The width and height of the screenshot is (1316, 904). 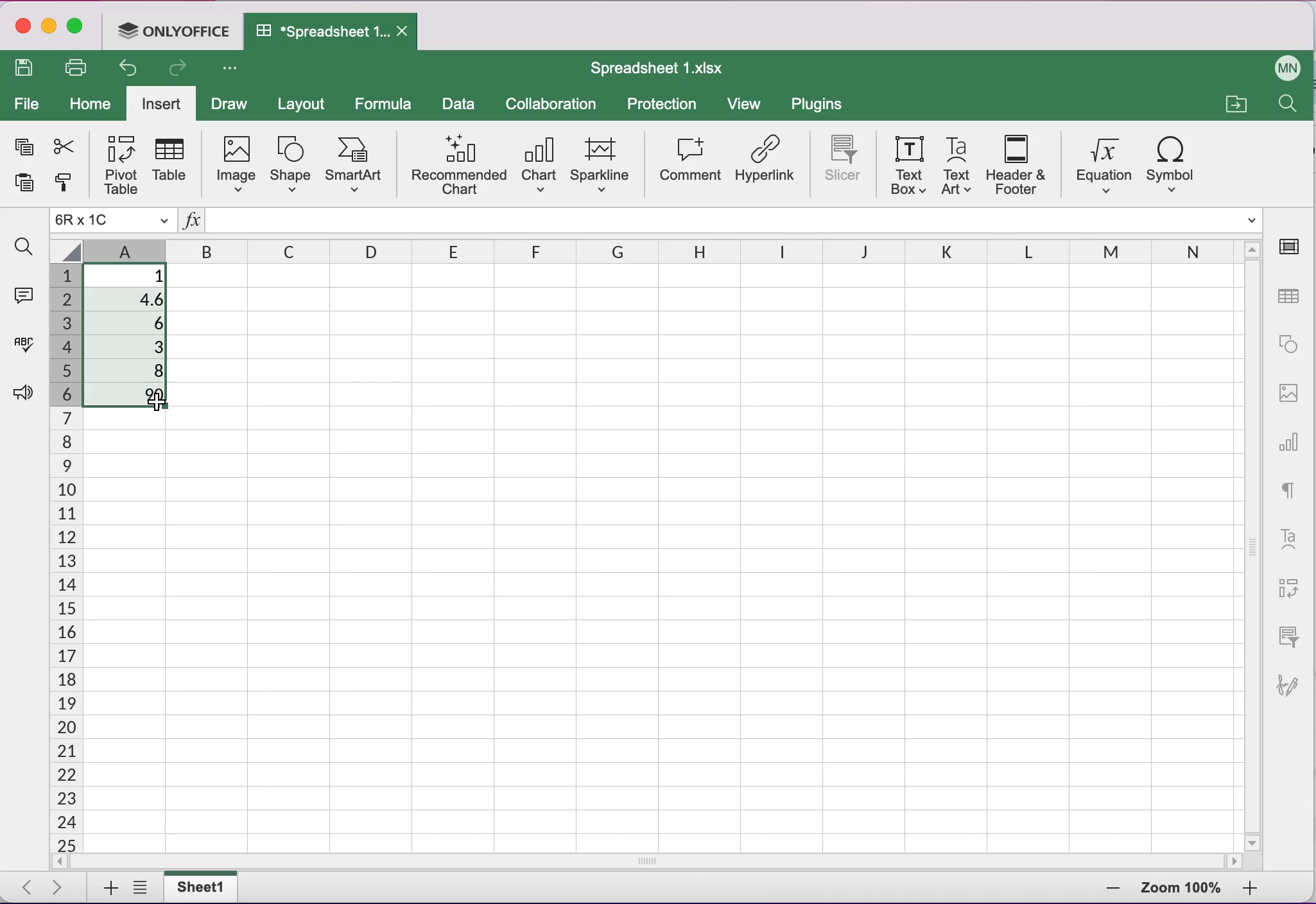 I want to click on User name, so click(x=1283, y=67).